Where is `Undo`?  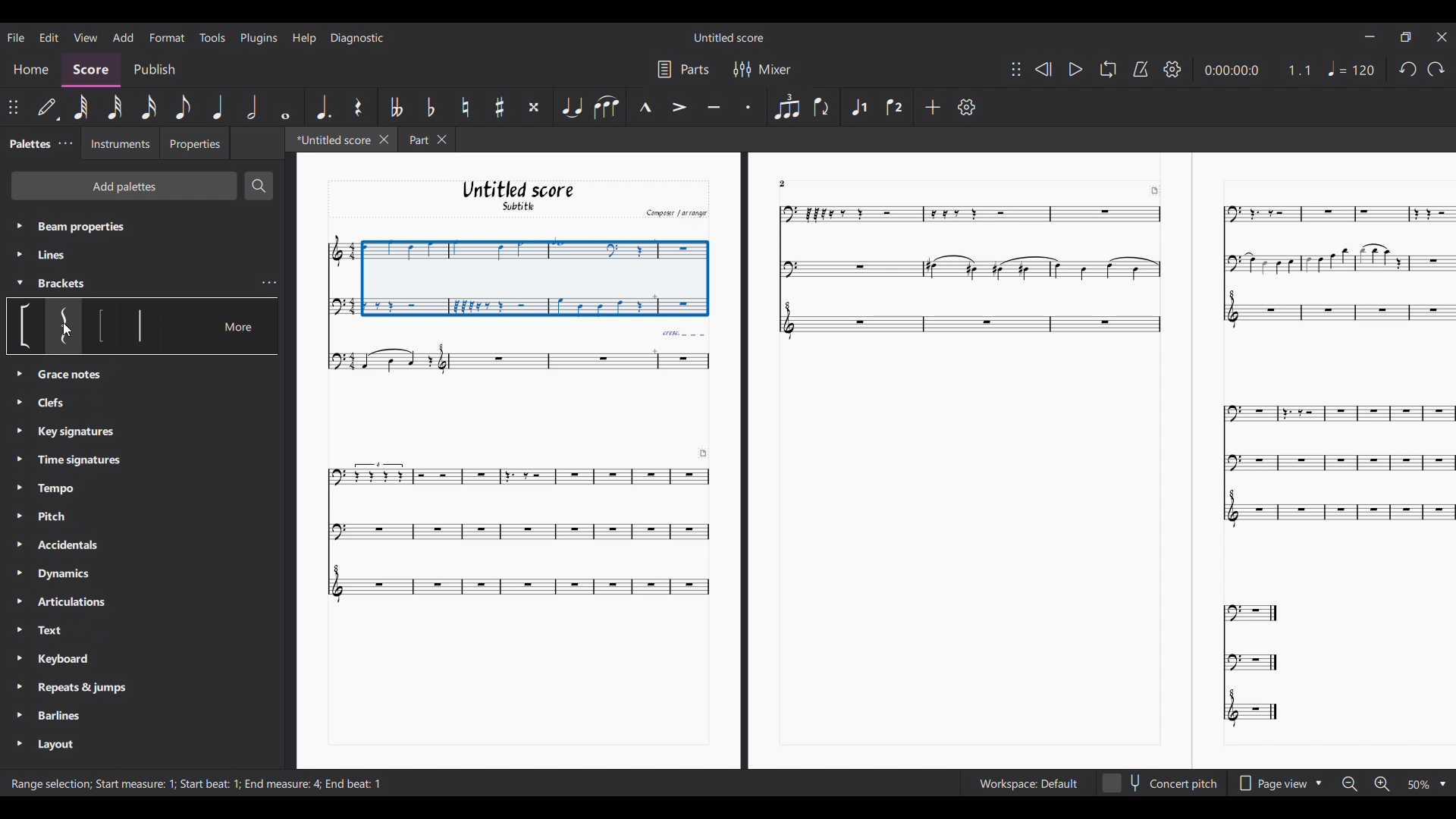 Undo is located at coordinates (1436, 72).